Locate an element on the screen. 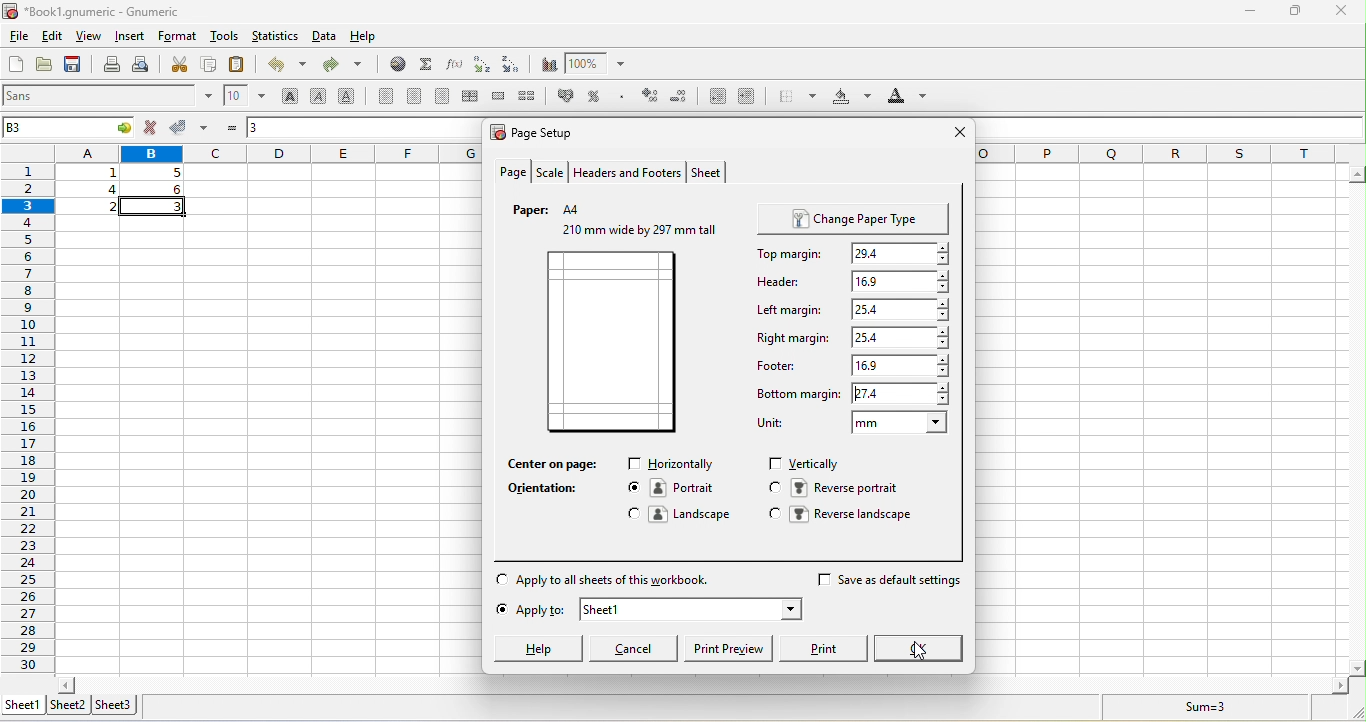 This screenshot has width=1366, height=722. horizontally is located at coordinates (675, 465).